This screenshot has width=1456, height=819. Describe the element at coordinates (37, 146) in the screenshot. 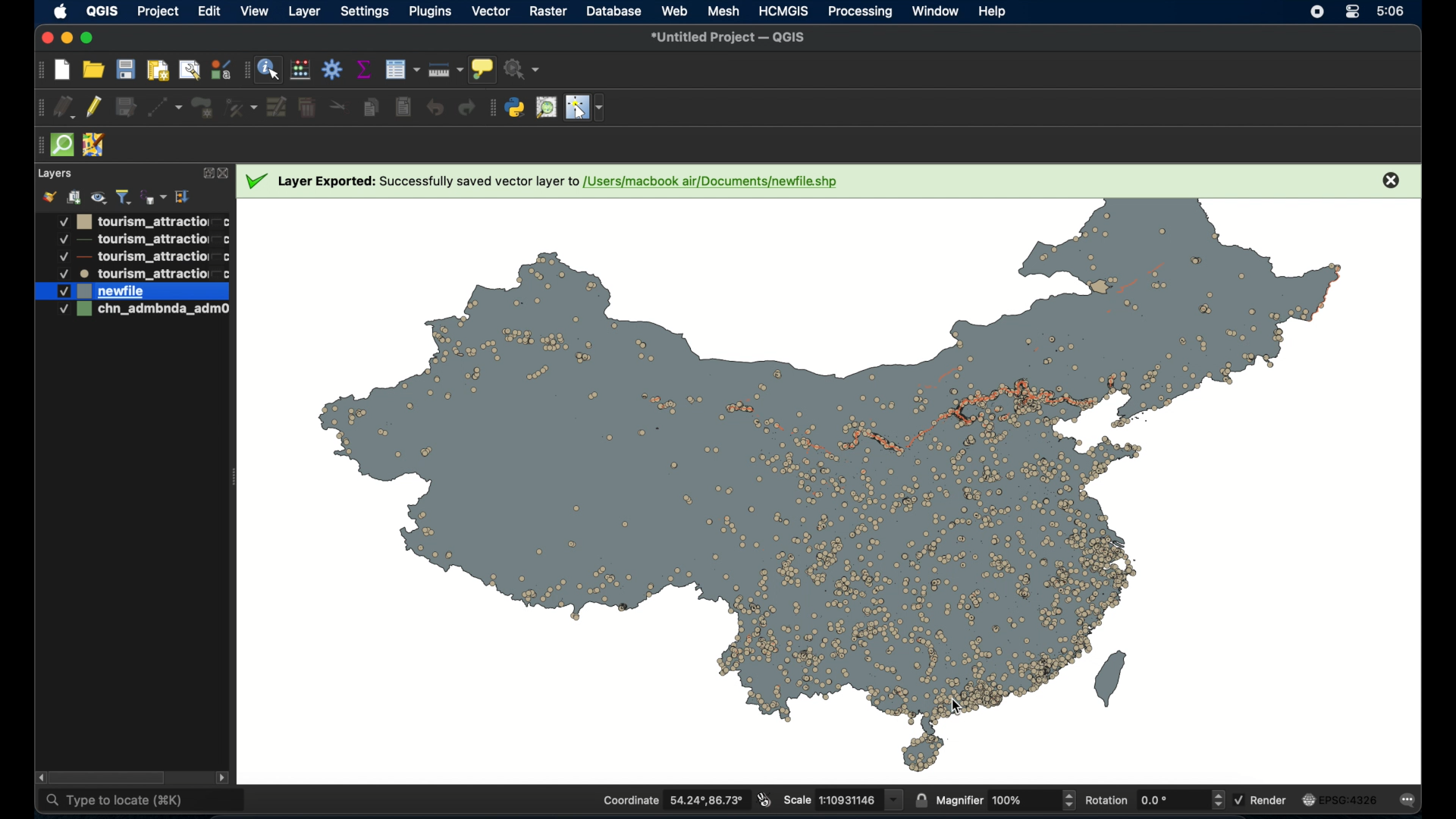

I see `drag handle` at that location.